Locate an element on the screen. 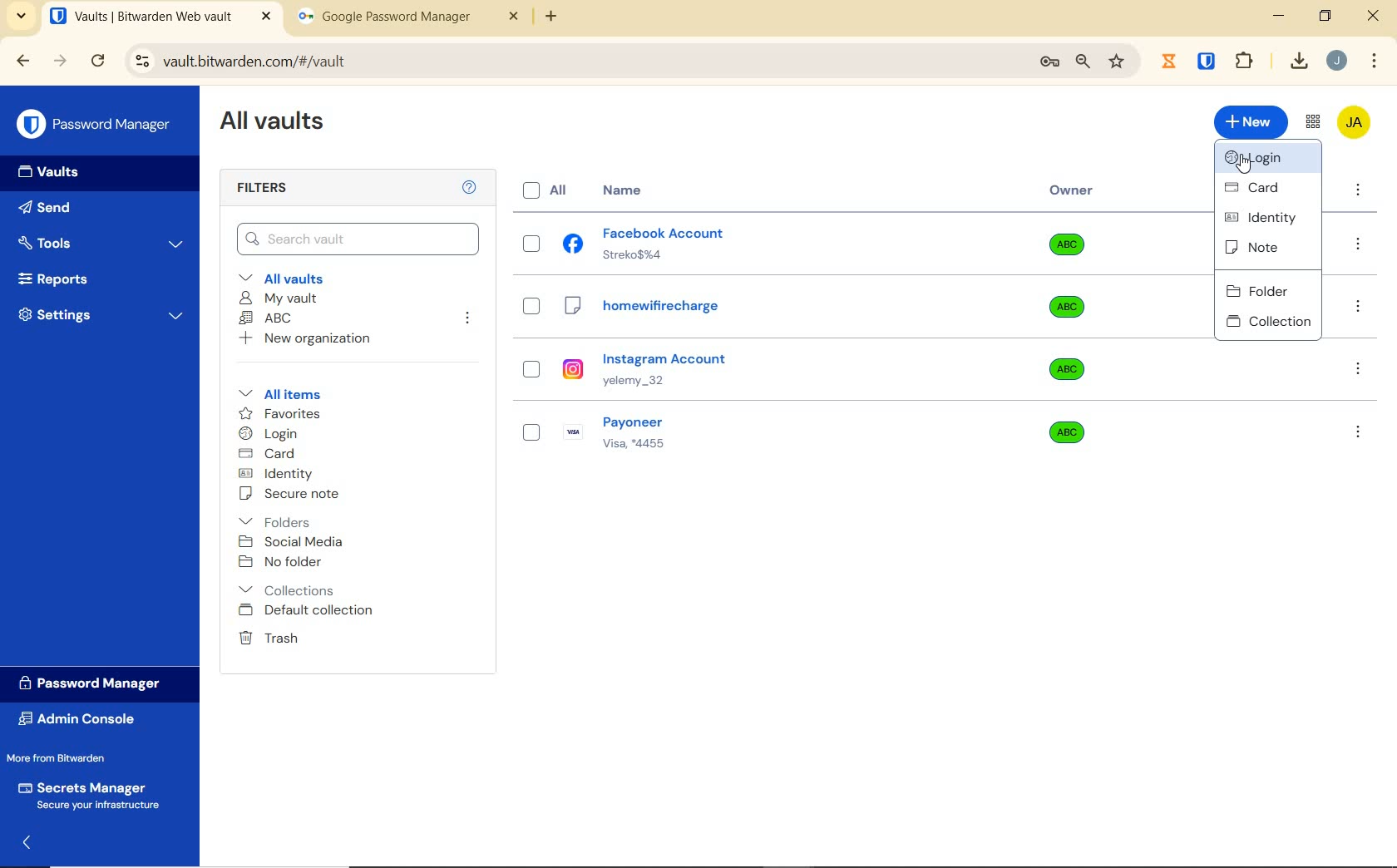 The image size is (1397, 868). Account is located at coordinates (1336, 61).